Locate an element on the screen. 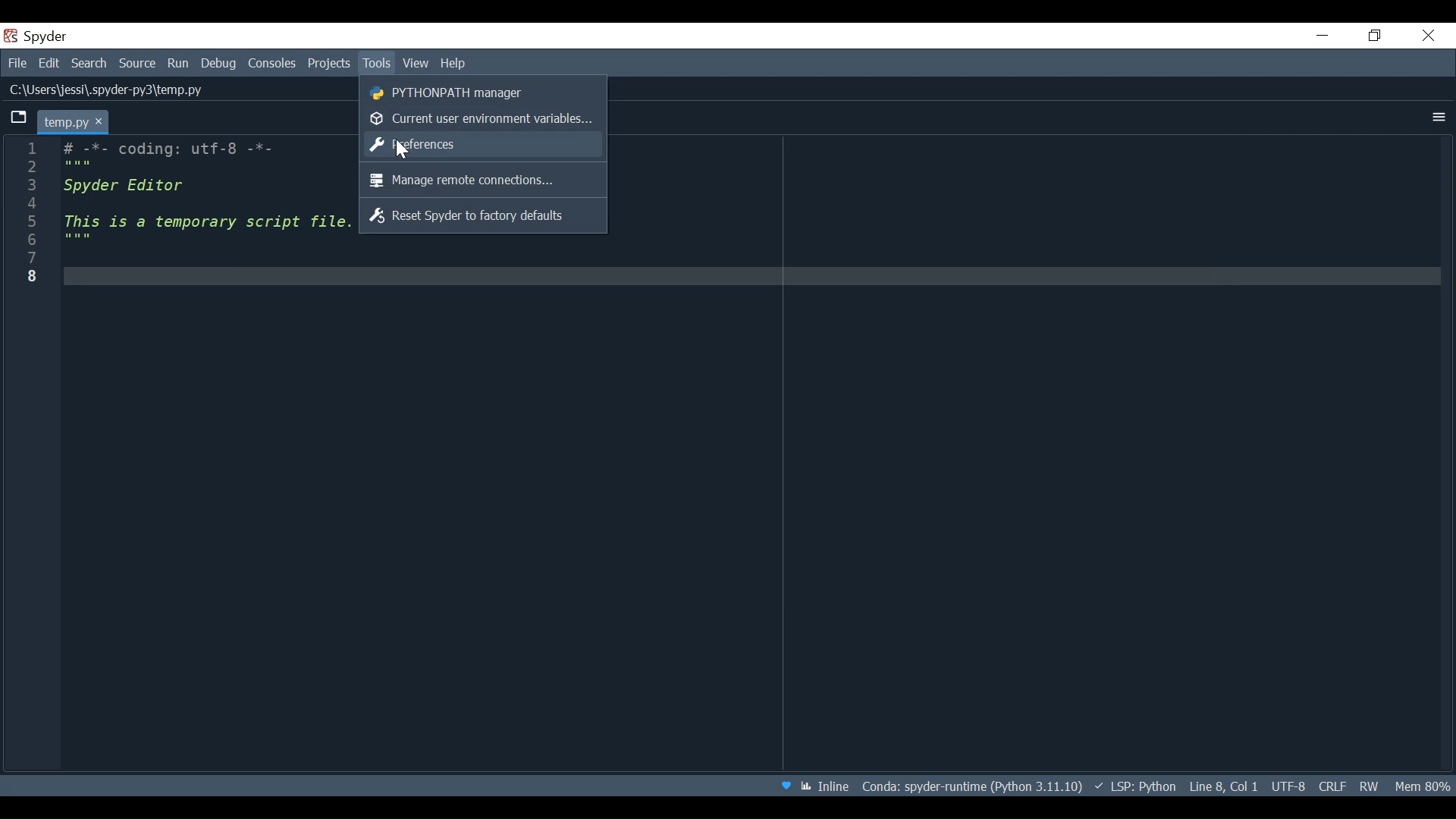 The width and height of the screenshot is (1456, 819). Help Spyder is located at coordinates (785, 787).